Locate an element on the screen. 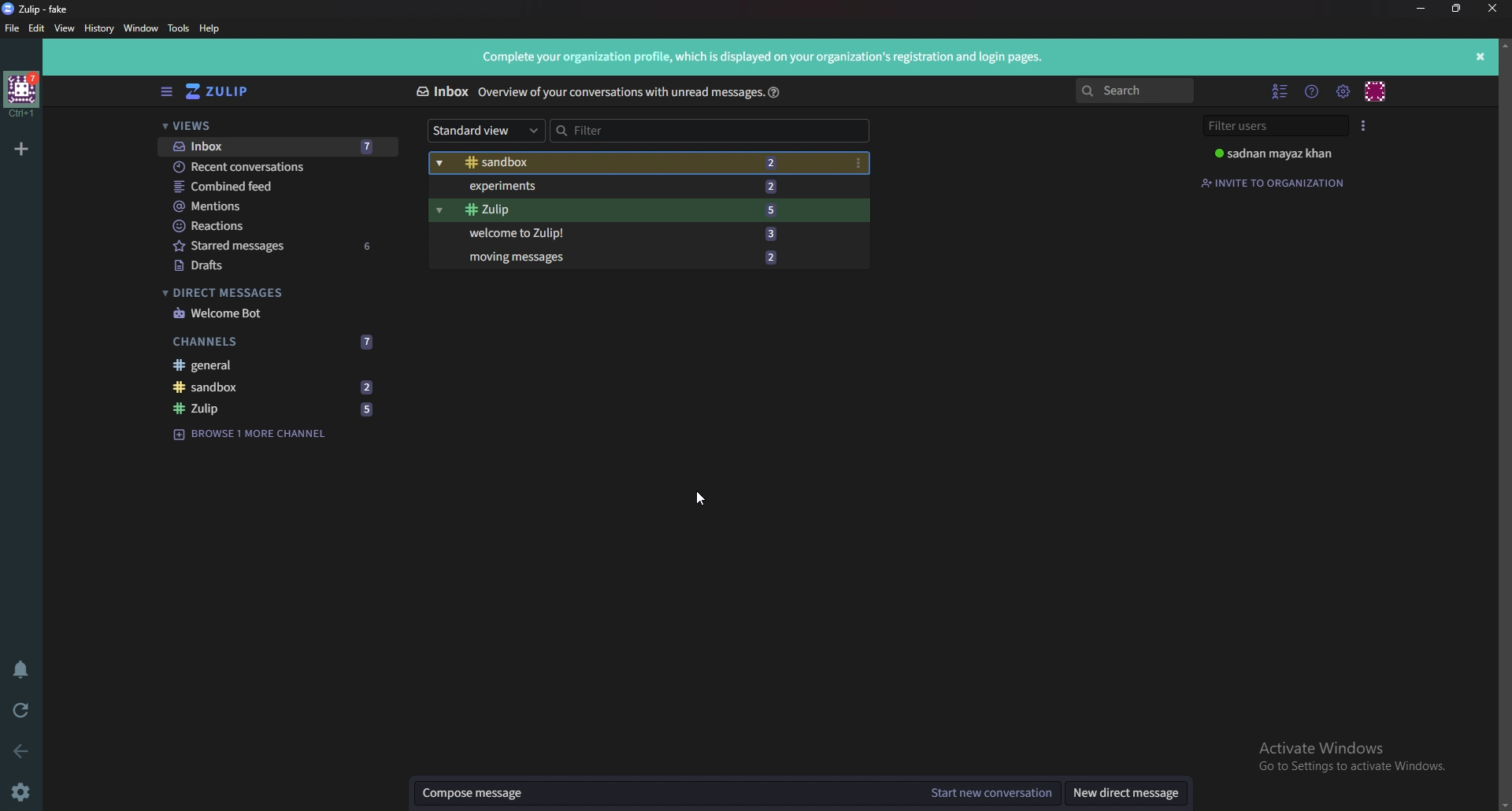 This screenshot has width=1512, height=811. Hide sidebar is located at coordinates (168, 91).